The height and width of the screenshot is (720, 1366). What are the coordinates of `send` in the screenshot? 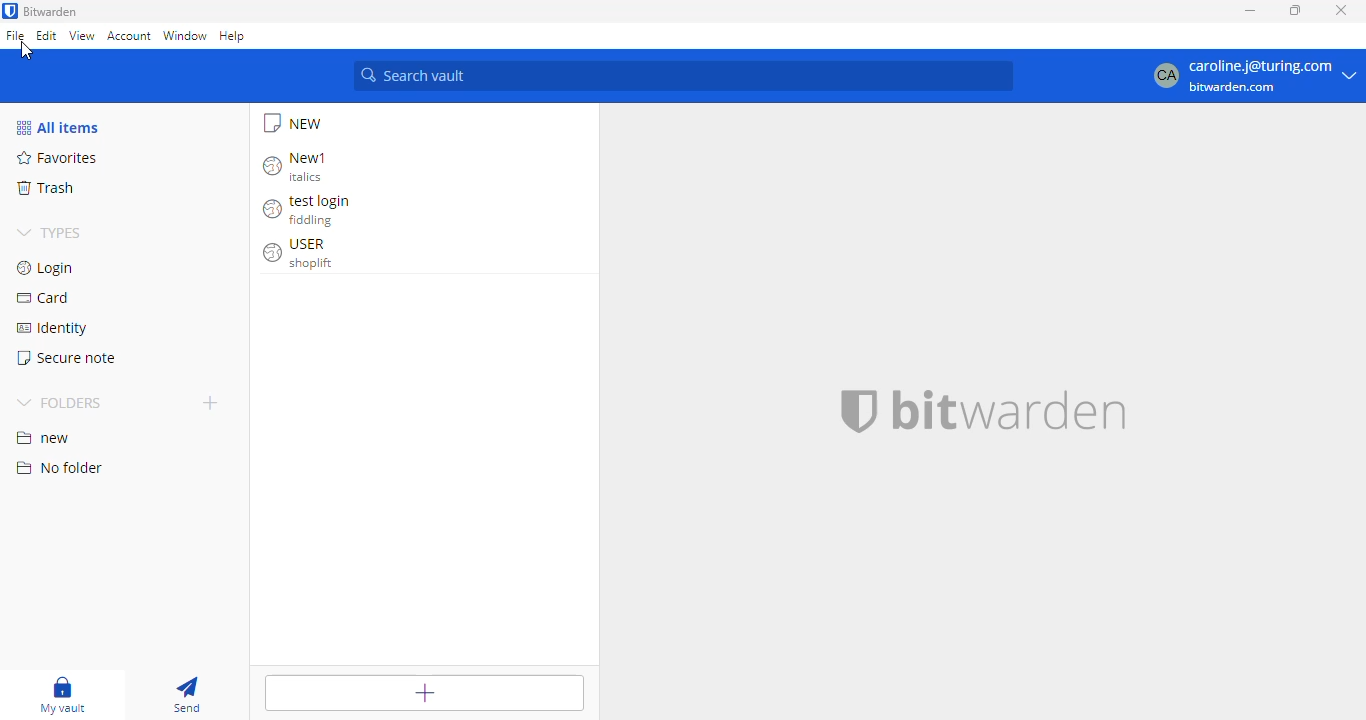 It's located at (185, 694).